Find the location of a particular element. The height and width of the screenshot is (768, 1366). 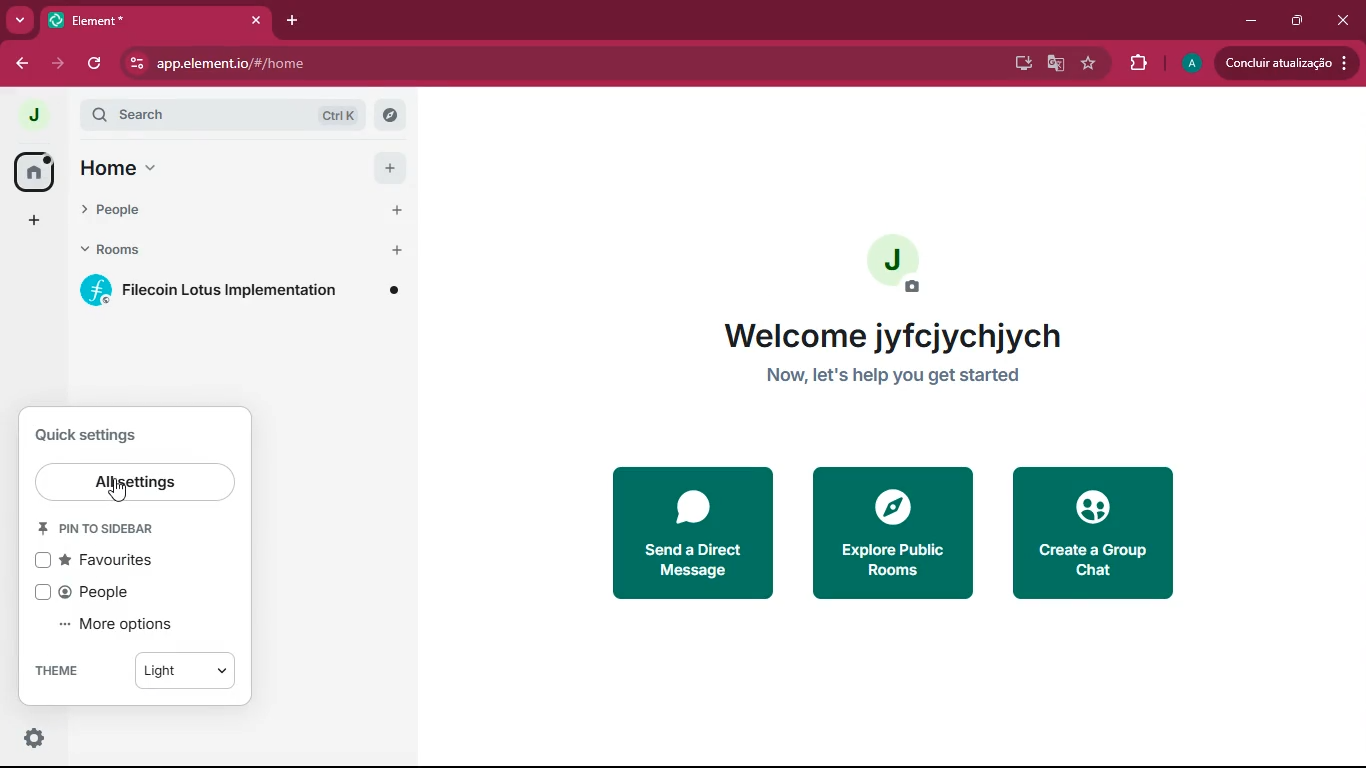

home is located at coordinates (34, 172).